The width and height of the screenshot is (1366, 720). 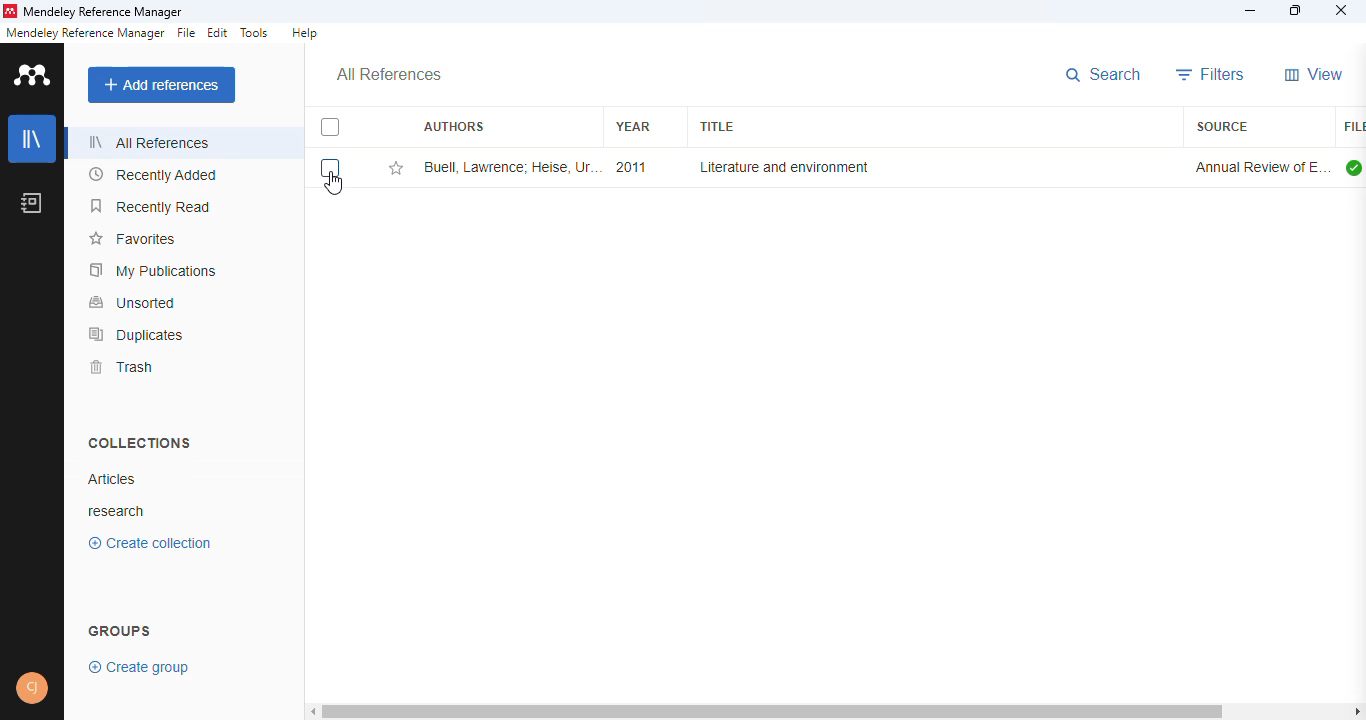 What do you see at coordinates (1315, 74) in the screenshot?
I see `view` at bounding box center [1315, 74].